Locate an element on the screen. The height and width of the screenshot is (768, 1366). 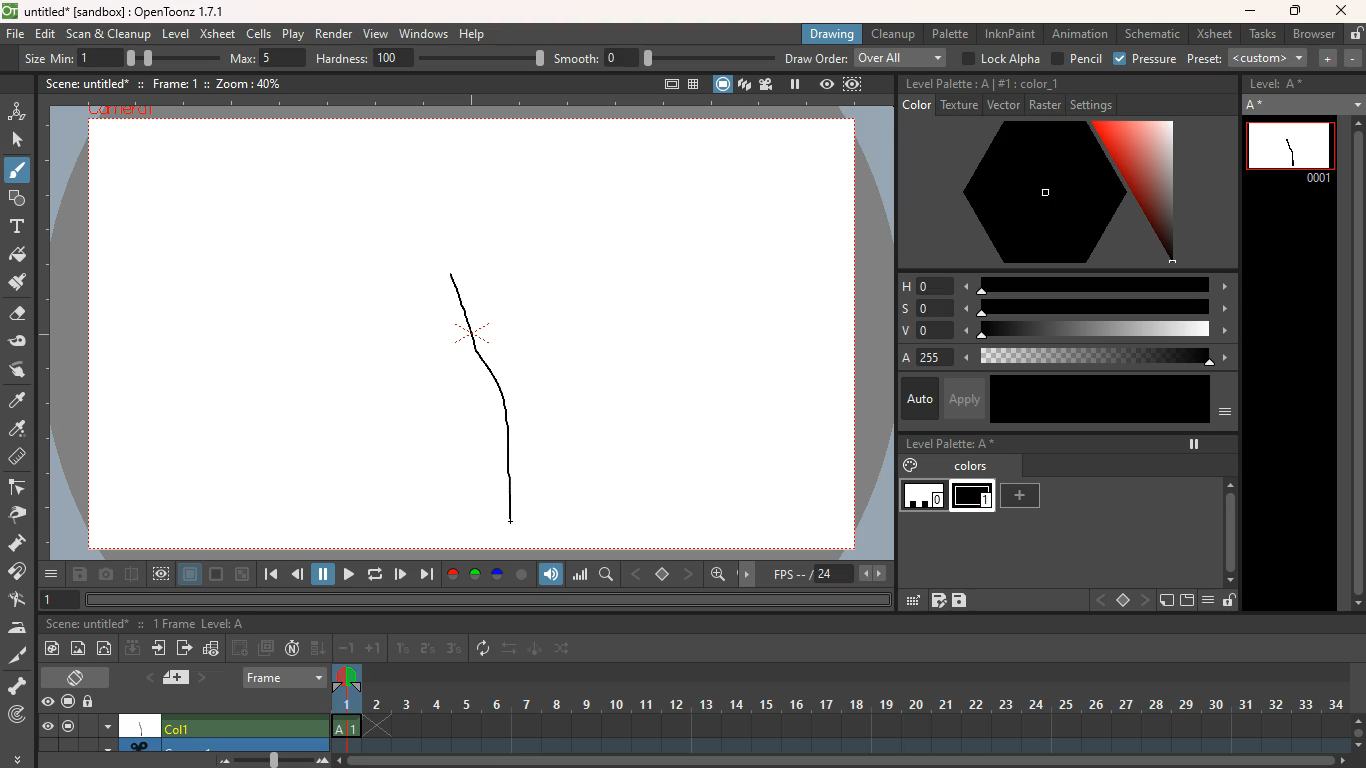
save is located at coordinates (79, 576).